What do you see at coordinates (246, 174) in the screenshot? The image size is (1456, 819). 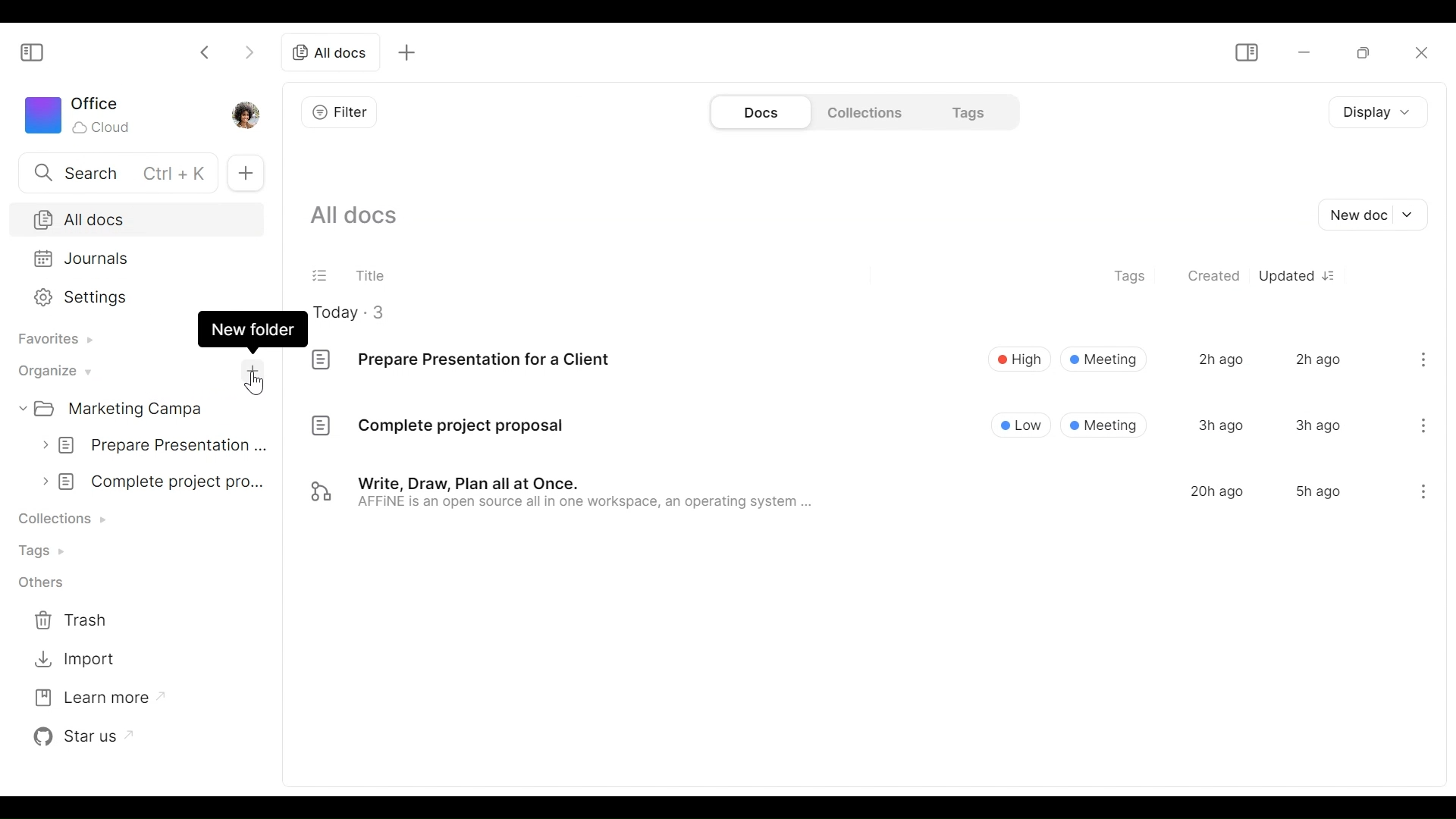 I see `New Tab` at bounding box center [246, 174].